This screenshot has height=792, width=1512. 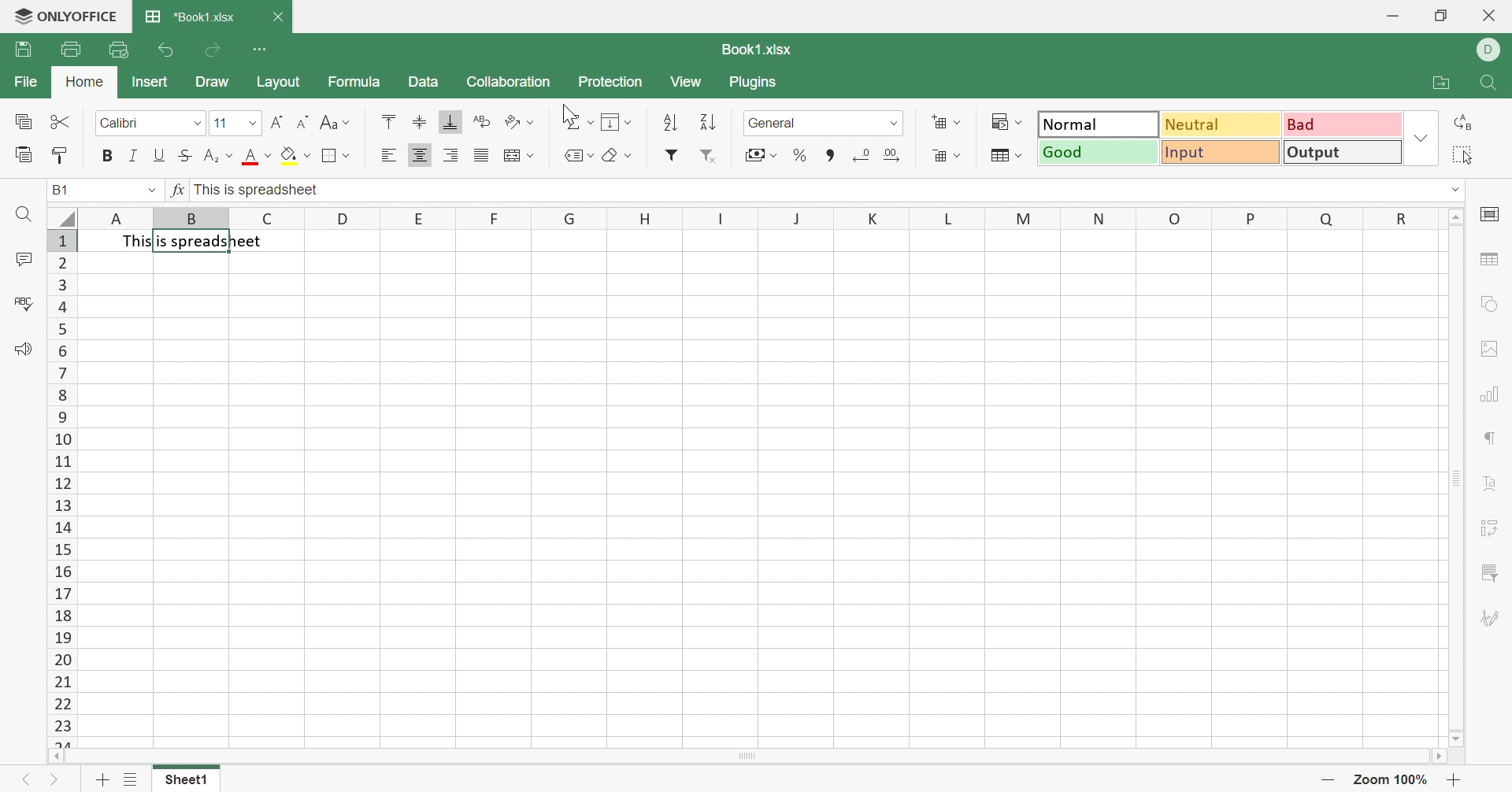 I want to click on Drop Down, so click(x=958, y=124).